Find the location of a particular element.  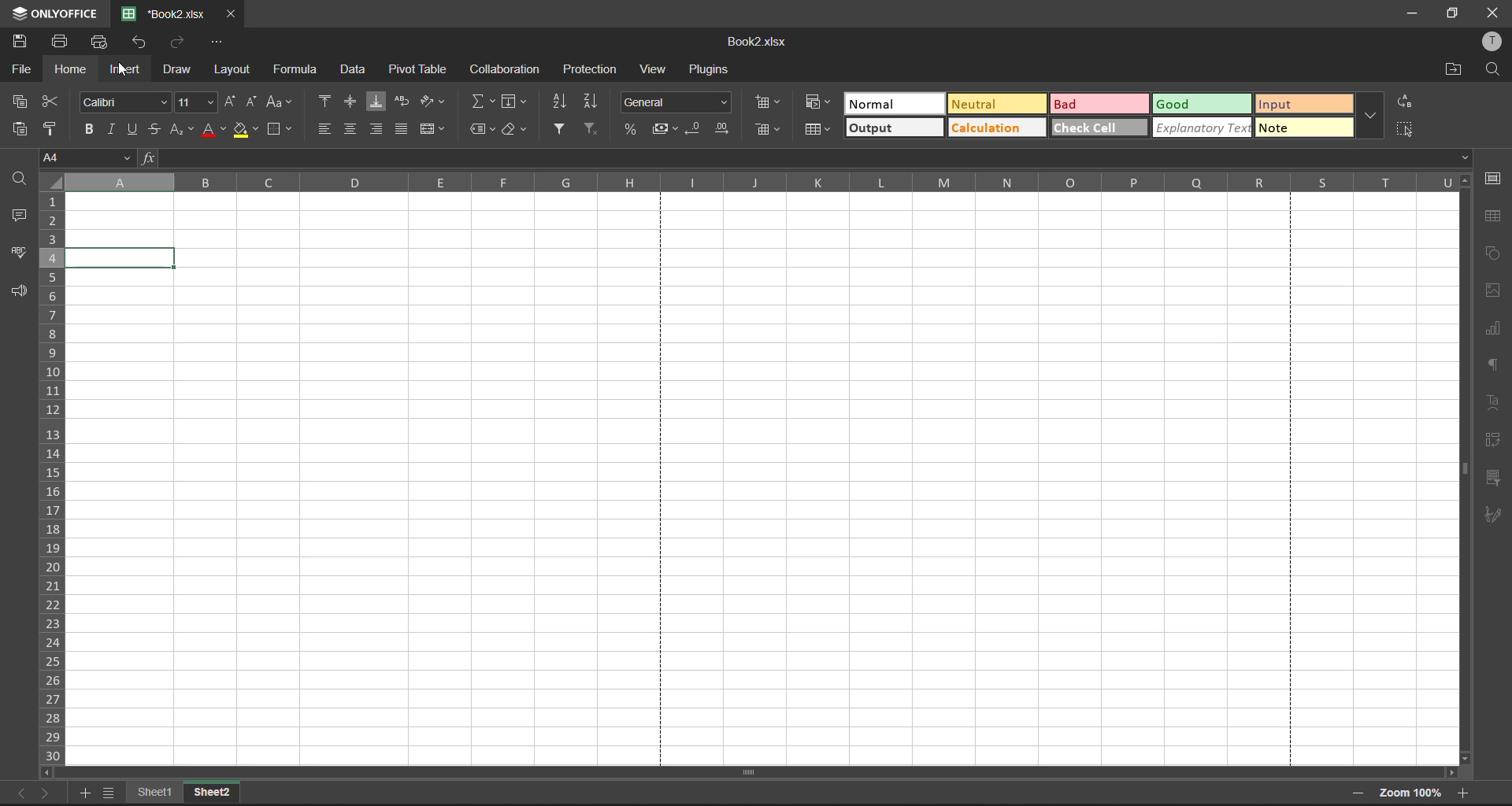

copy style is located at coordinates (50, 130).